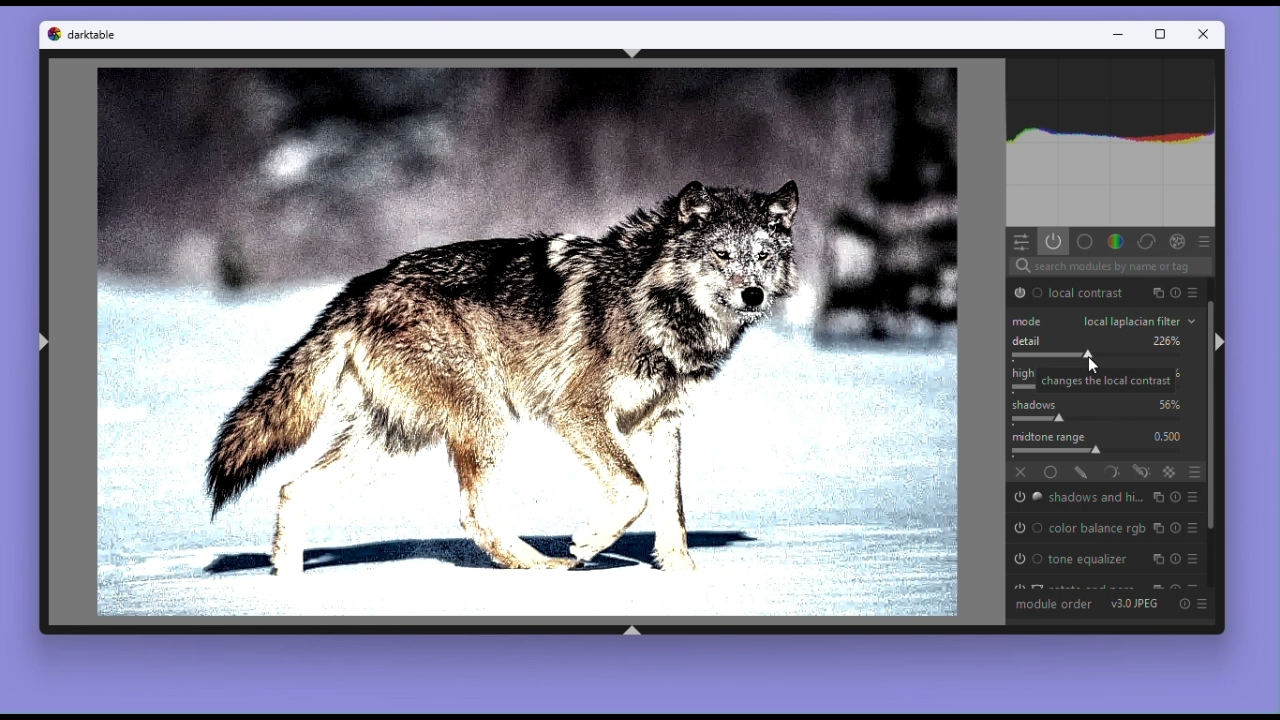 This screenshot has width=1280, height=720. Describe the element at coordinates (1139, 474) in the screenshot. I see `drawn & parametric mask` at that location.